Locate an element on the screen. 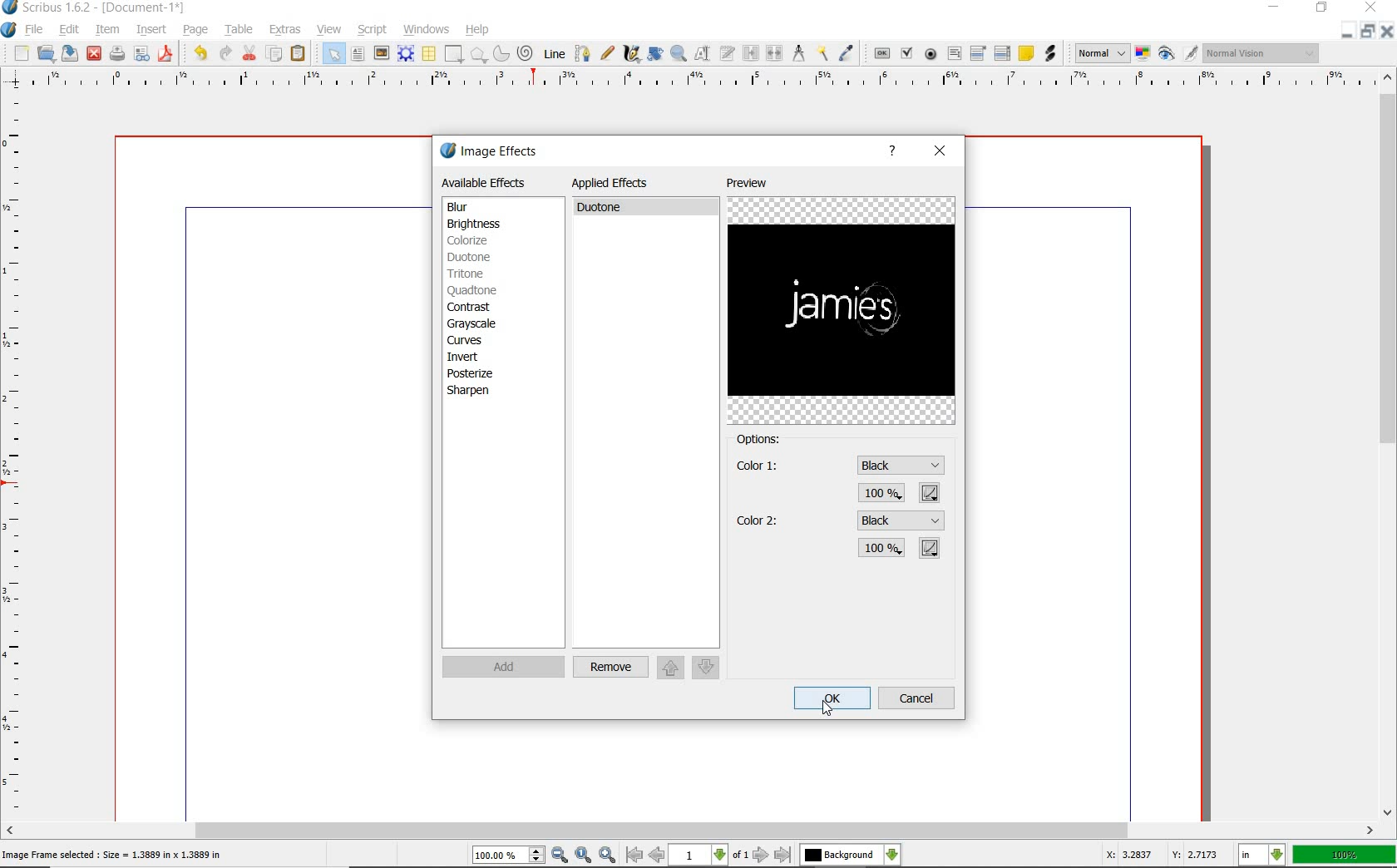  color 1 settings is located at coordinates (840, 481).